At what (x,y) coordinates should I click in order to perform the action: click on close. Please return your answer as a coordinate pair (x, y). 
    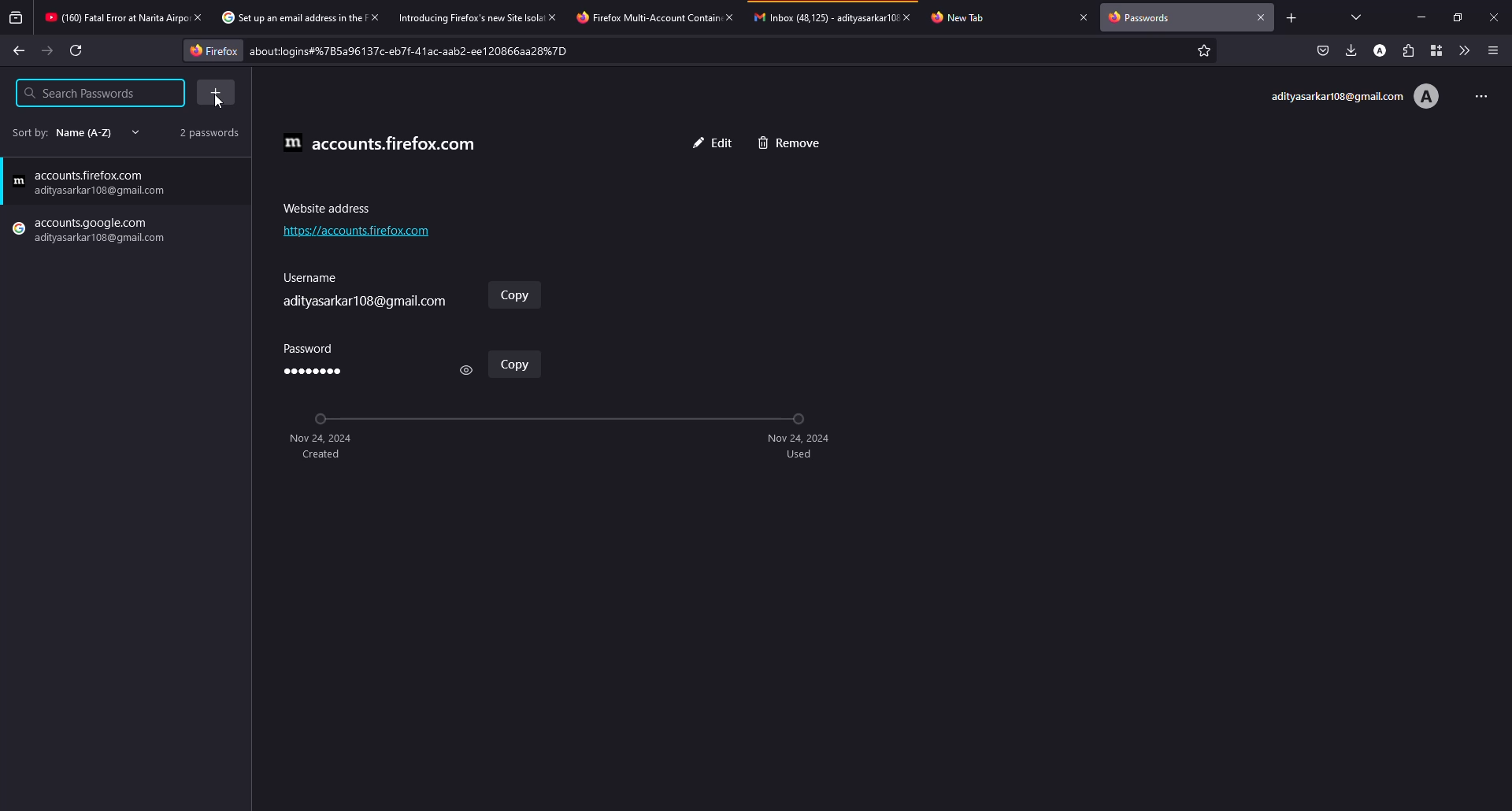
    Looking at the image, I should click on (728, 17).